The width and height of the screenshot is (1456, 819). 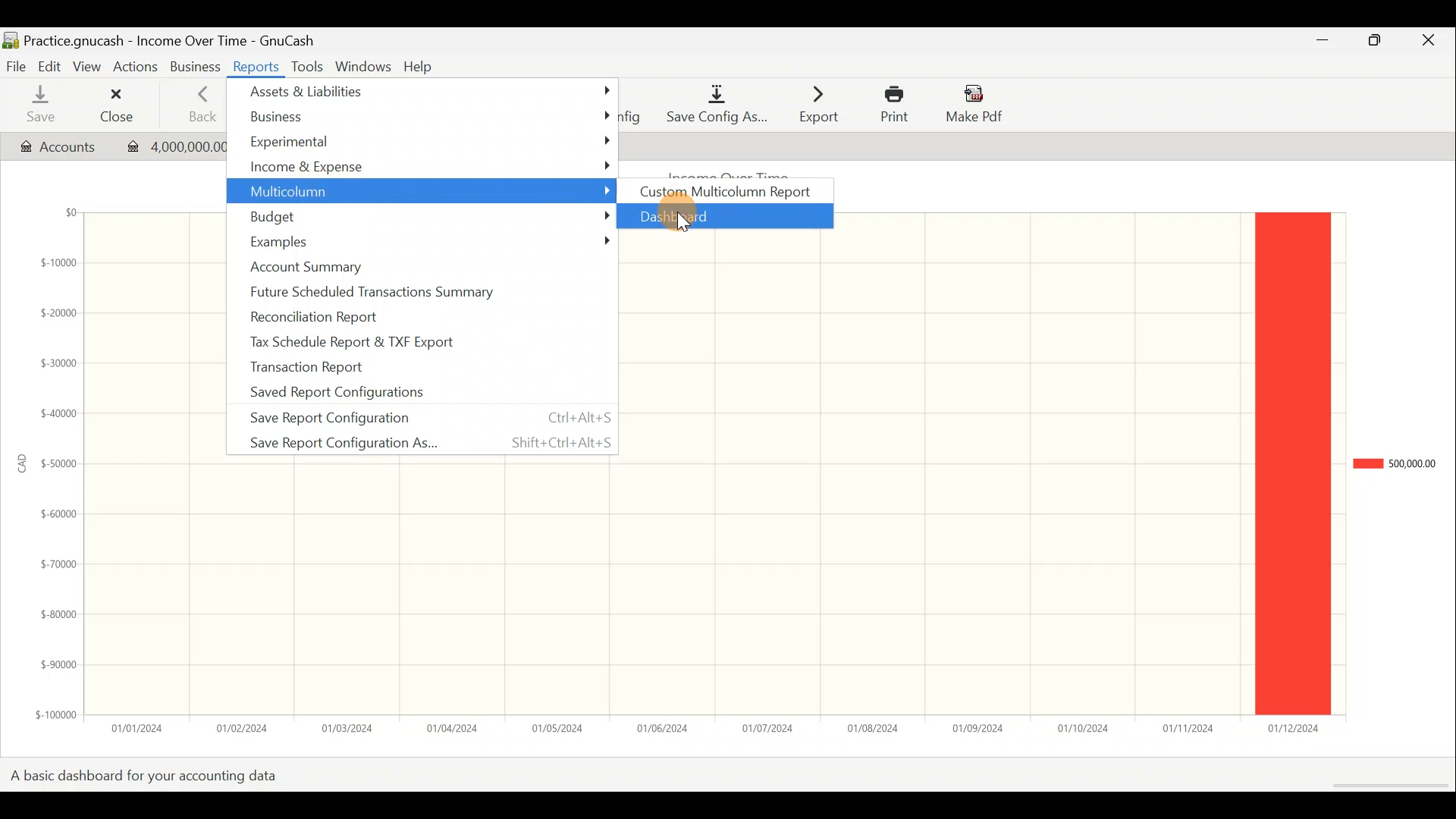 What do you see at coordinates (422, 90) in the screenshot?
I see `Assets & liabilities` at bounding box center [422, 90].